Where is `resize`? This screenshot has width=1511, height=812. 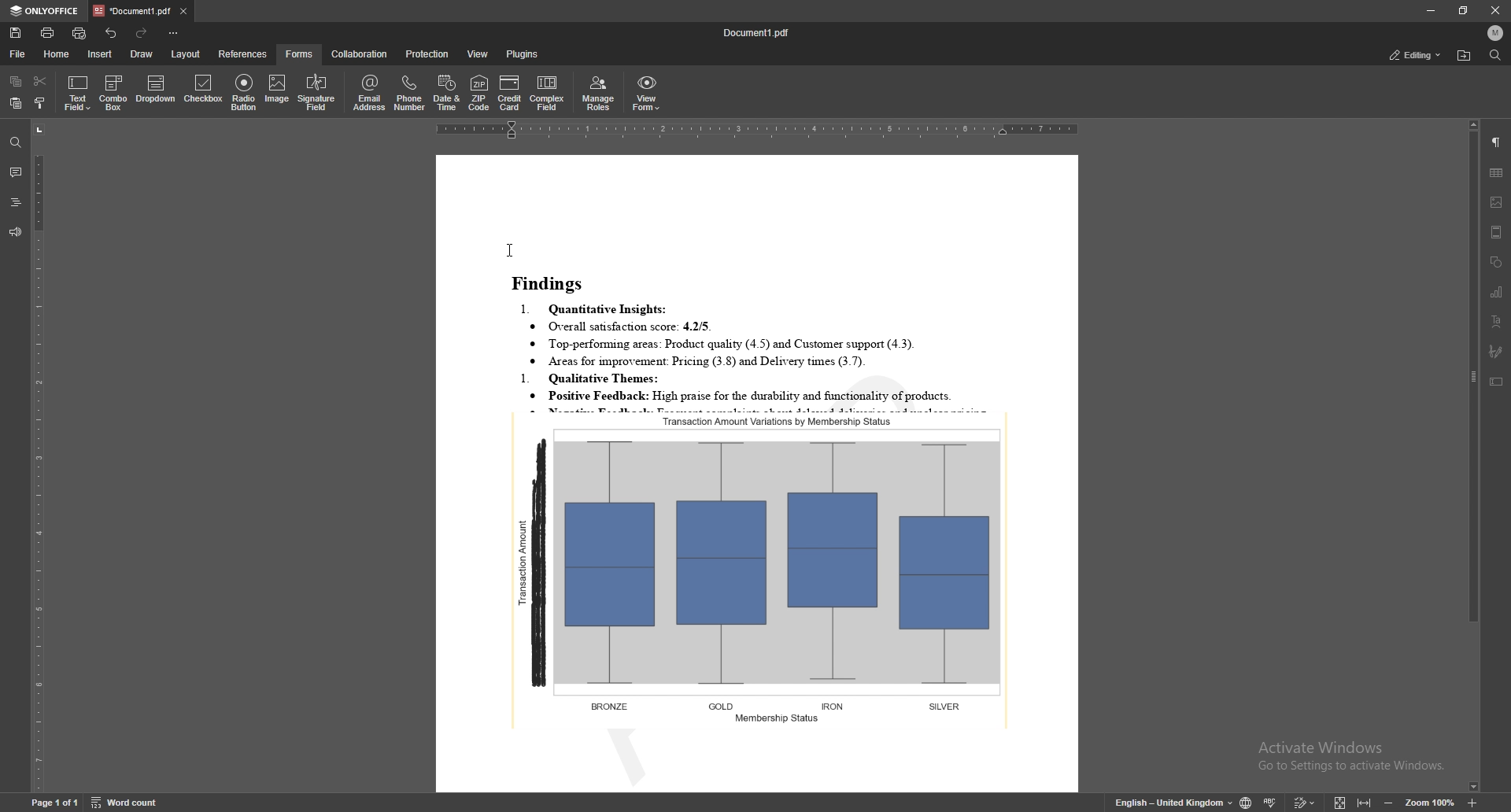 resize is located at coordinates (1463, 10).